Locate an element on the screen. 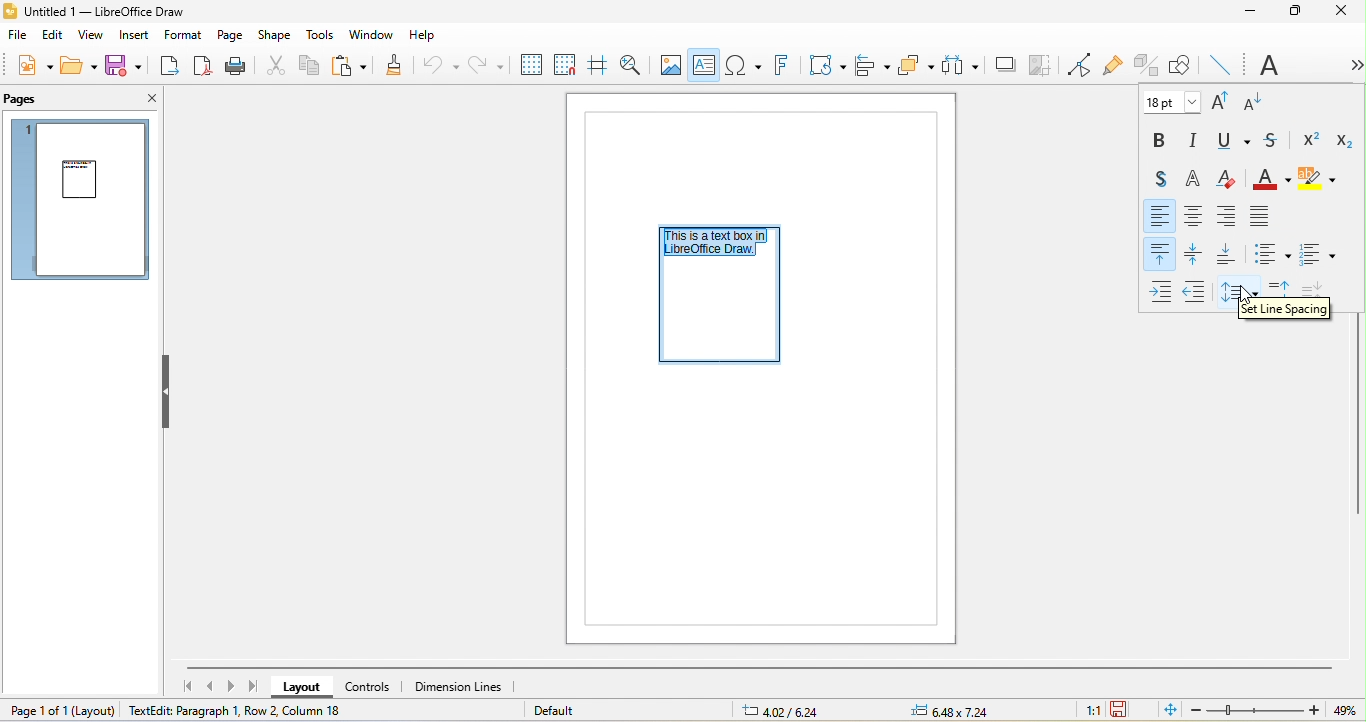 This screenshot has height=722, width=1366. save is located at coordinates (129, 68).